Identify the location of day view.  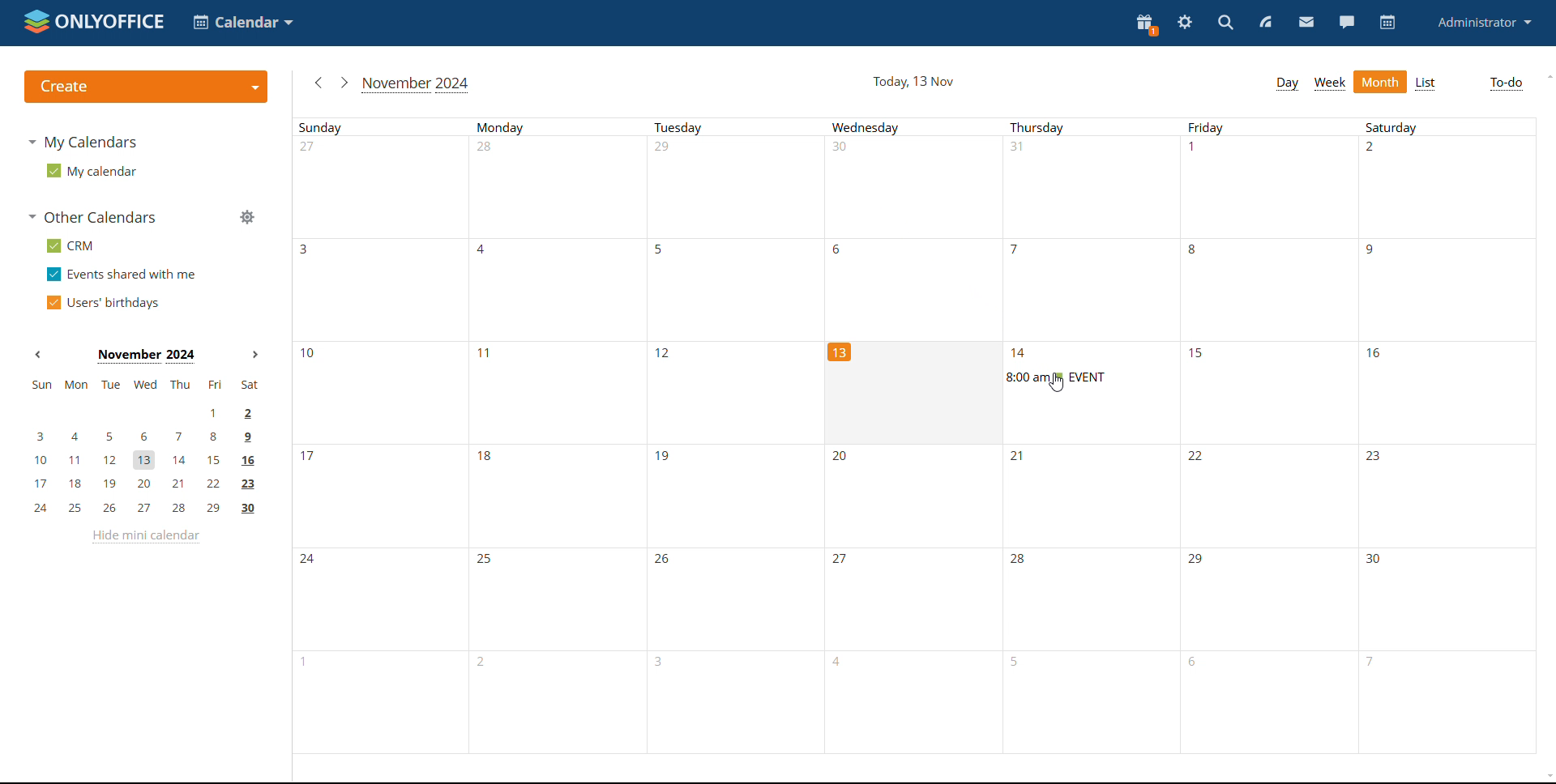
(1289, 84).